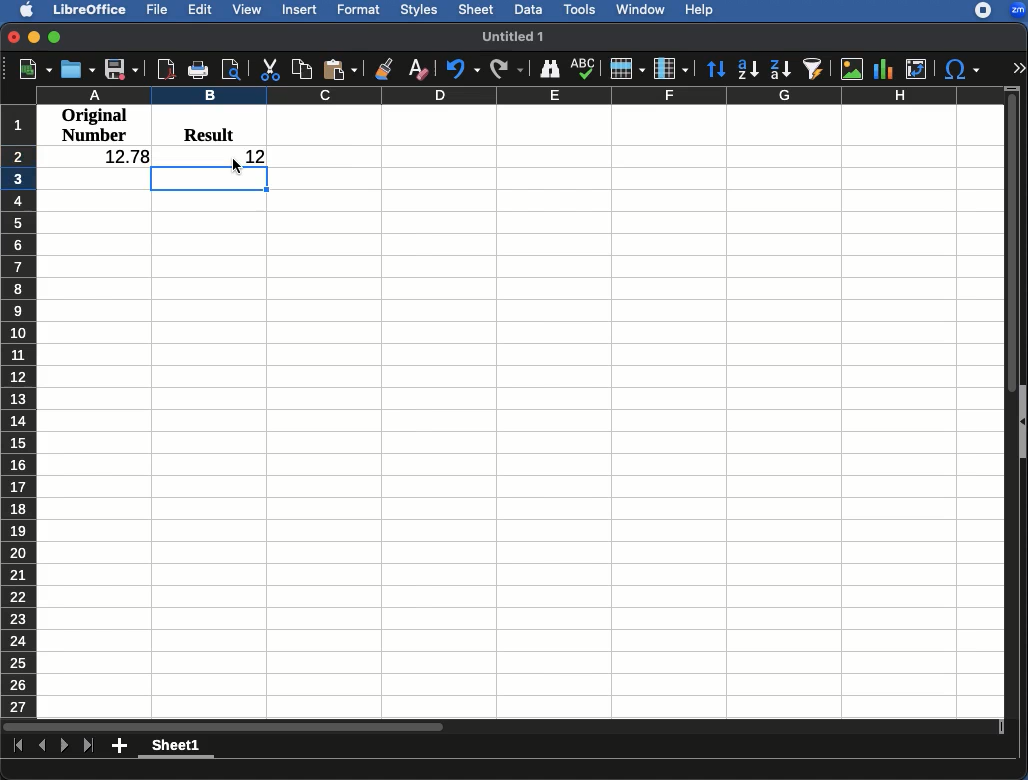 Image resolution: width=1028 pixels, height=780 pixels. What do you see at coordinates (964, 69) in the screenshot?
I see `Special characters` at bounding box center [964, 69].